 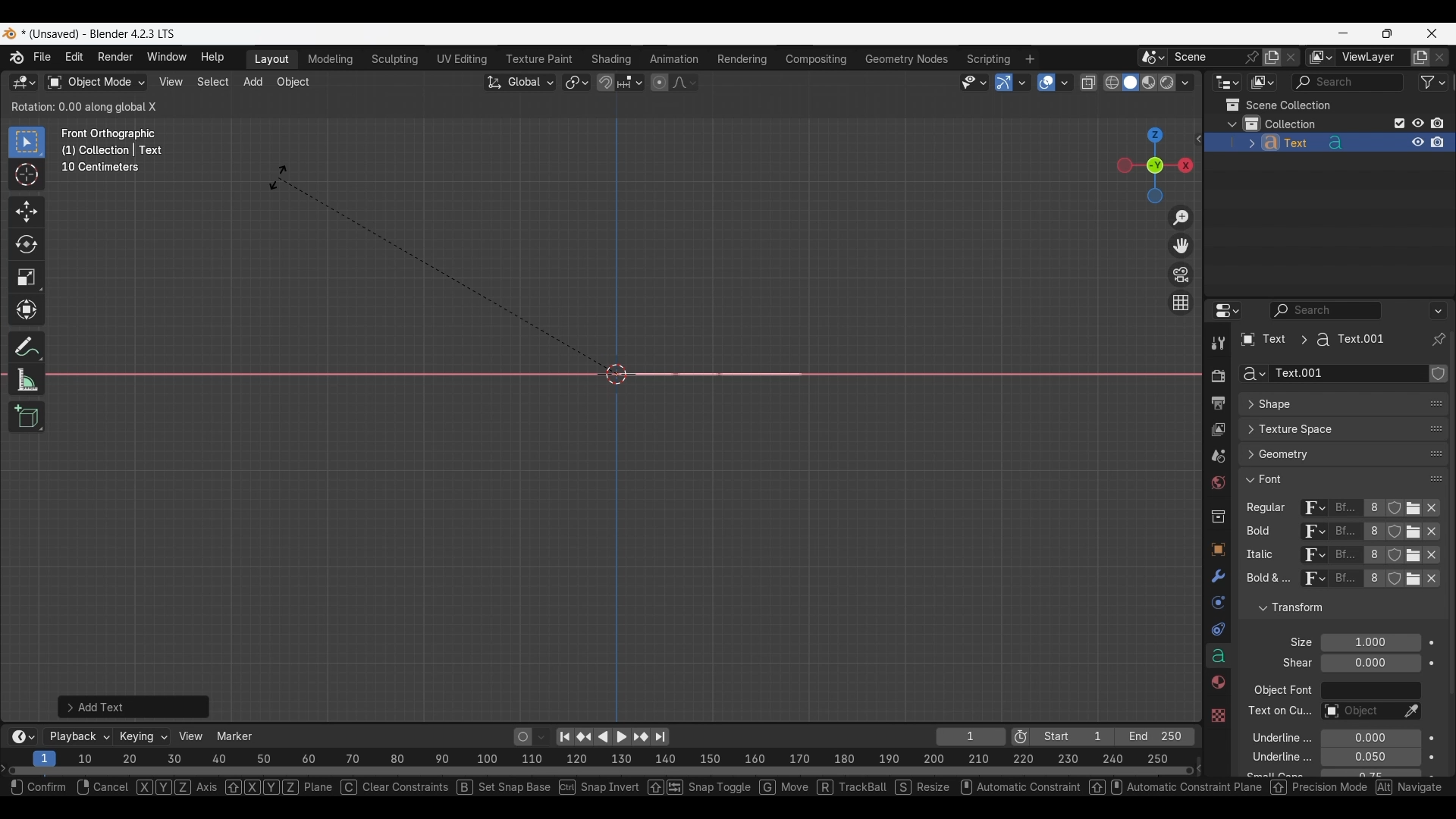 I want to click on UV Editing workspace, so click(x=463, y=59).